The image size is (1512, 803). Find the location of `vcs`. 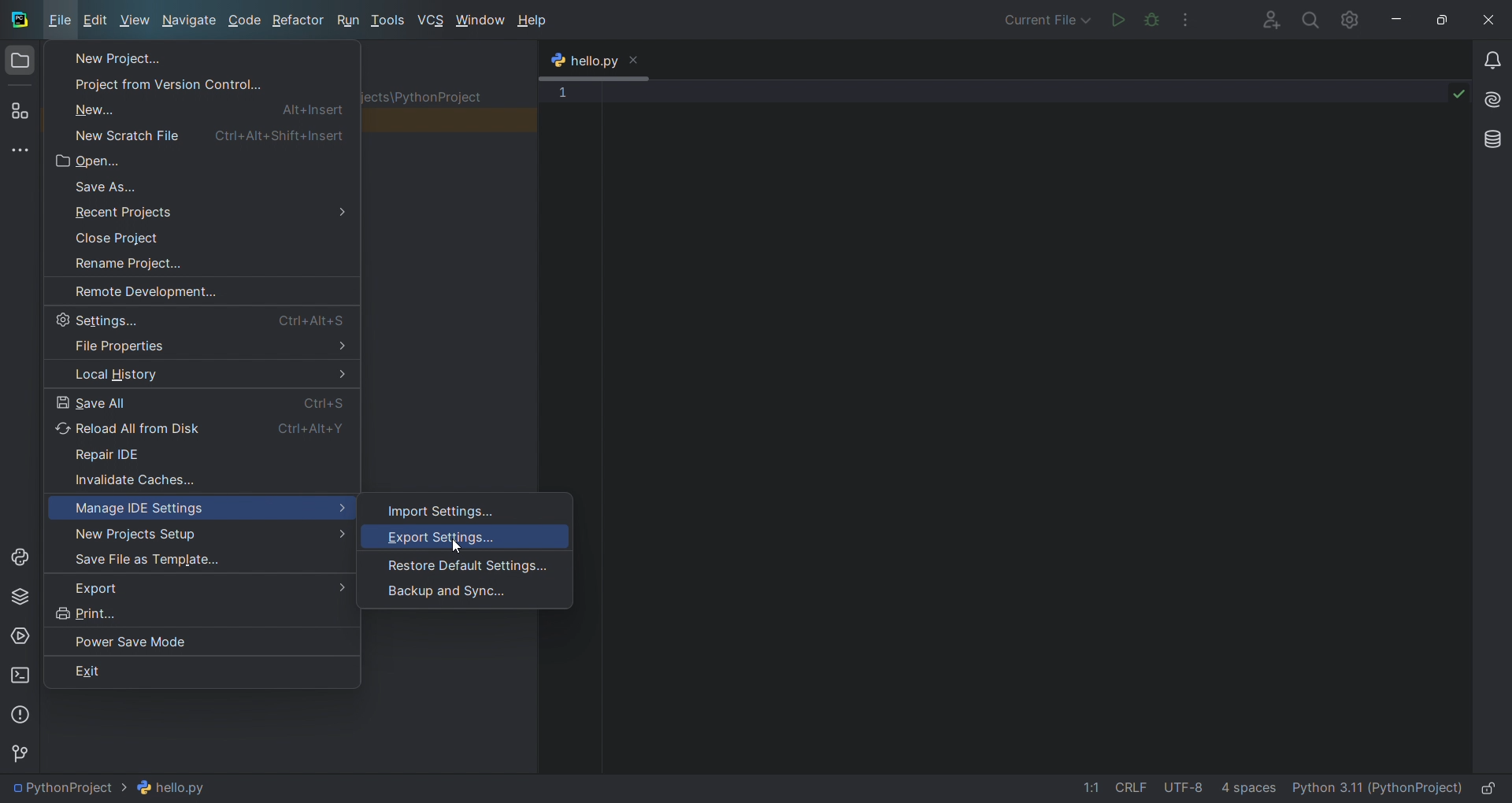

vcs is located at coordinates (432, 20).